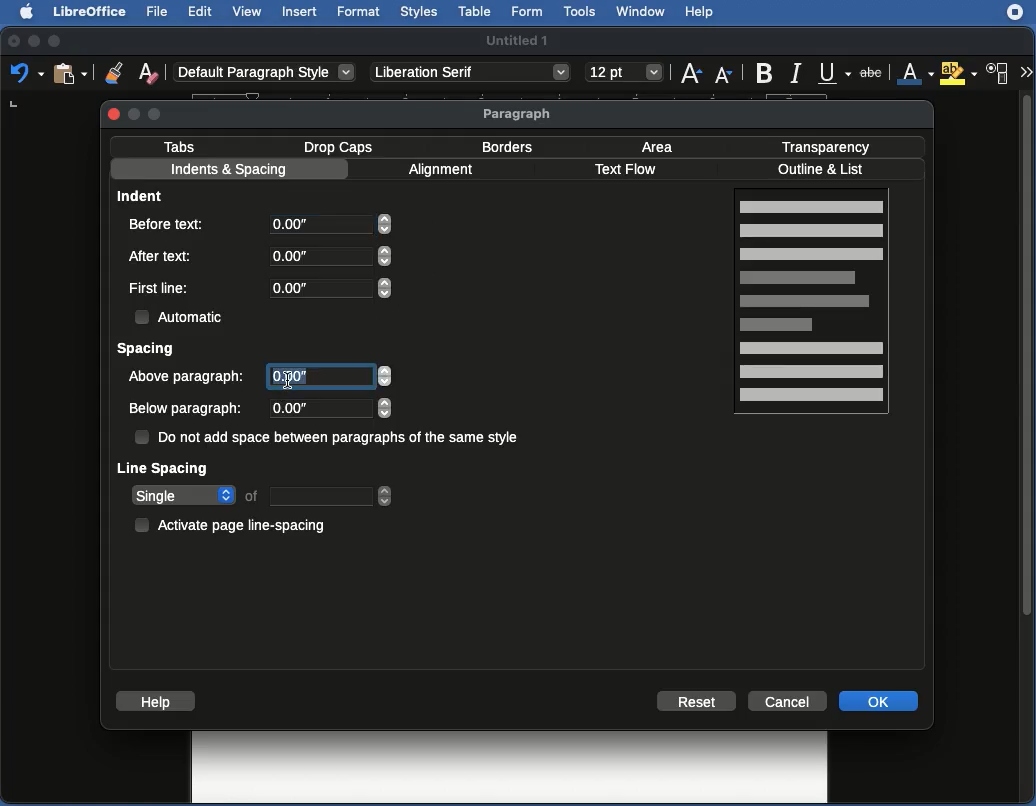 The height and width of the screenshot is (806, 1036). I want to click on 0.00", so click(332, 228).